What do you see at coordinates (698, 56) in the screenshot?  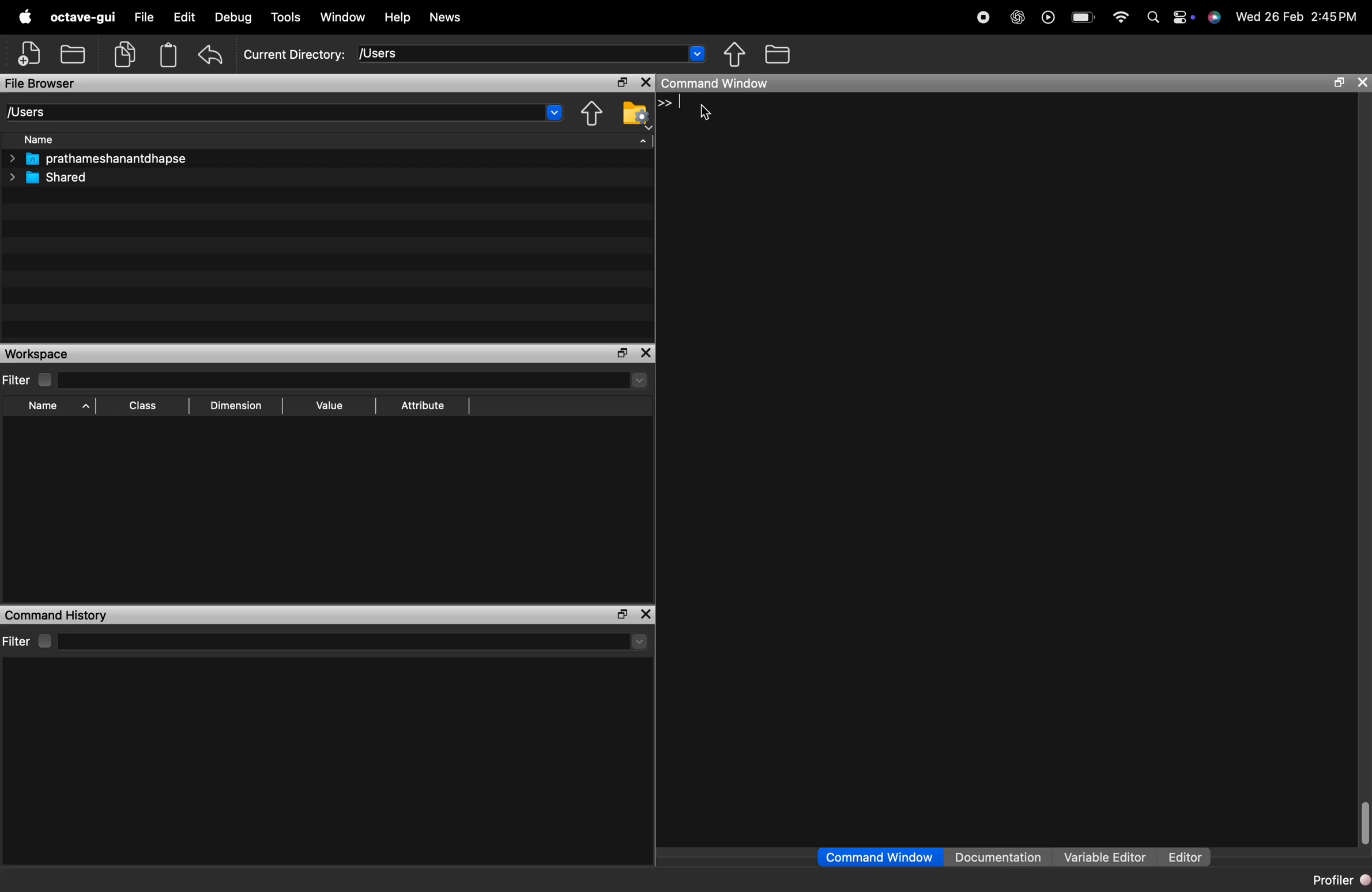 I see `dropdown` at bounding box center [698, 56].